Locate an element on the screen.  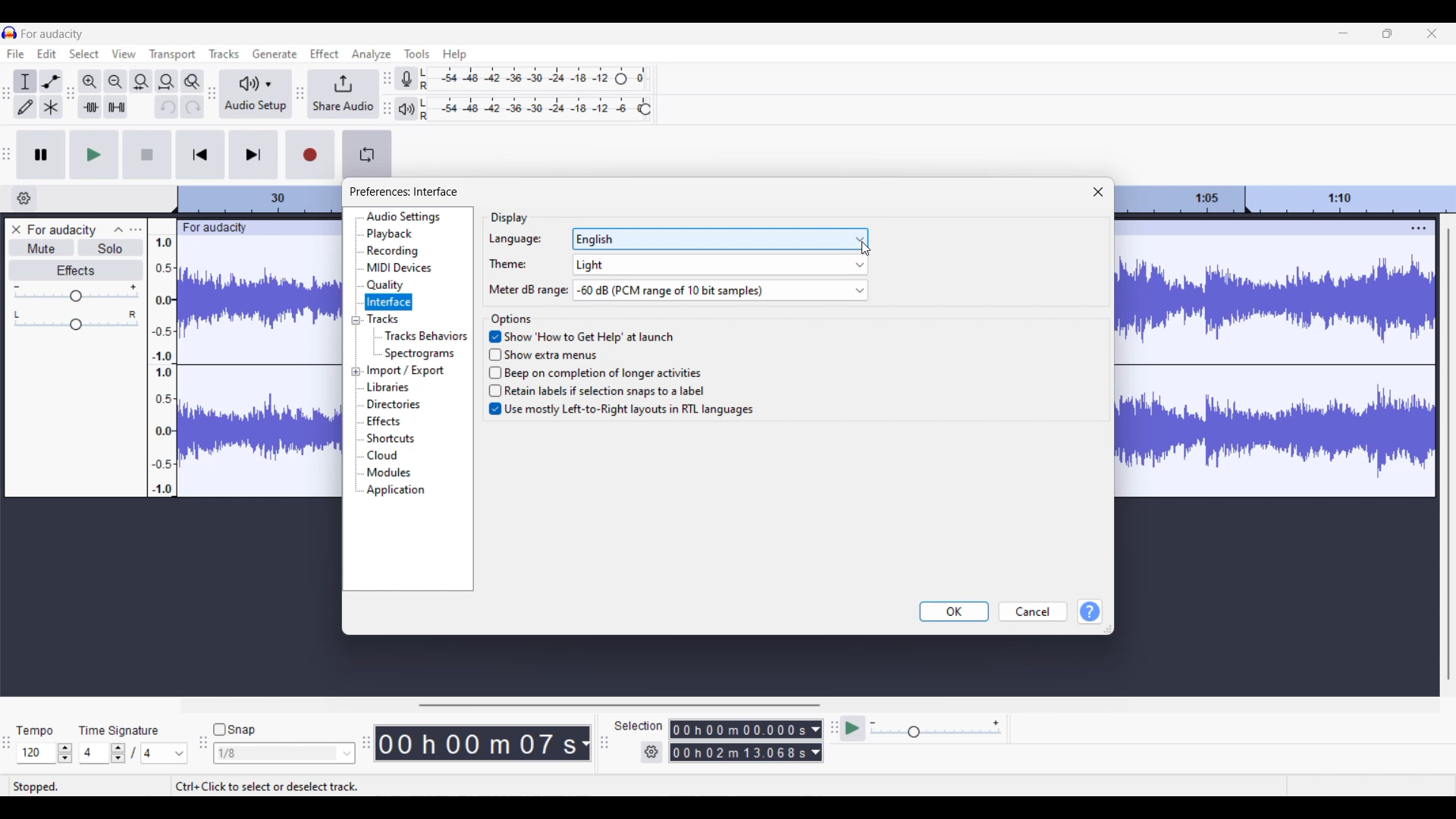
Timeline options is located at coordinates (24, 199).